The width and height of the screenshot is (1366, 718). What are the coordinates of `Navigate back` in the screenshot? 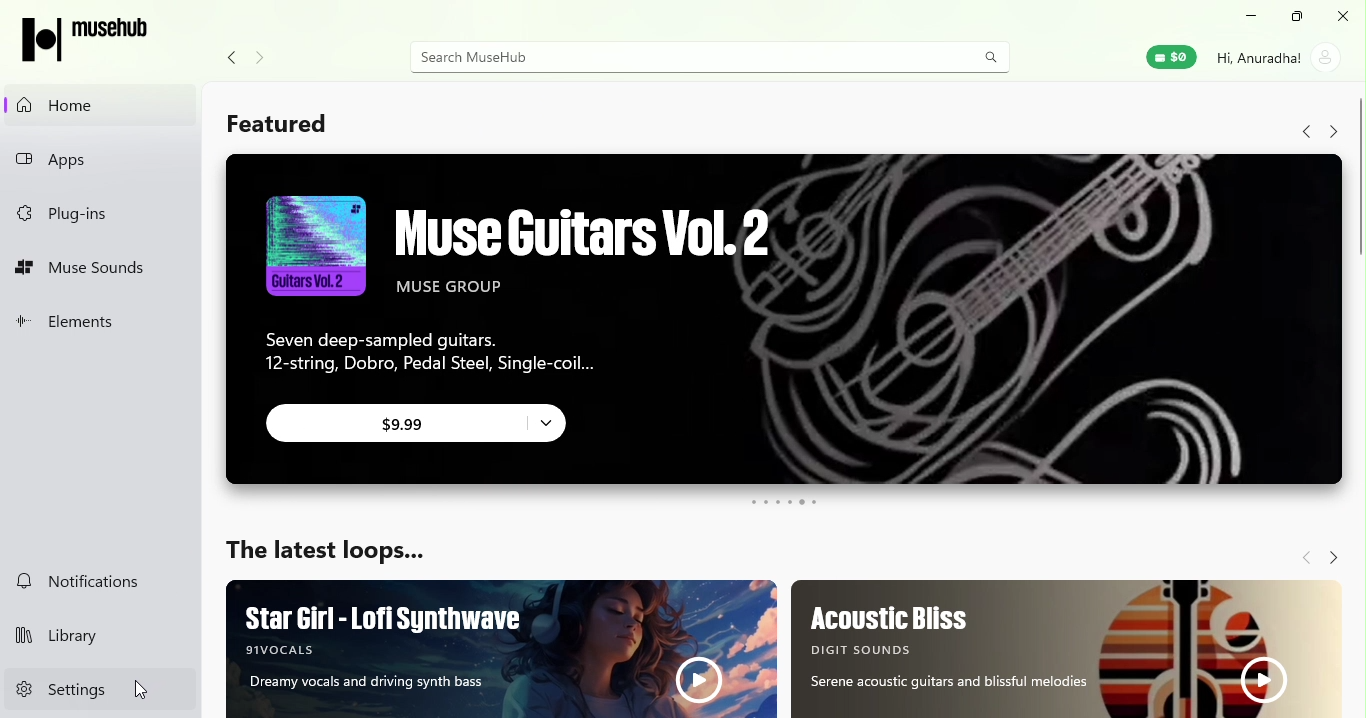 It's located at (234, 57).